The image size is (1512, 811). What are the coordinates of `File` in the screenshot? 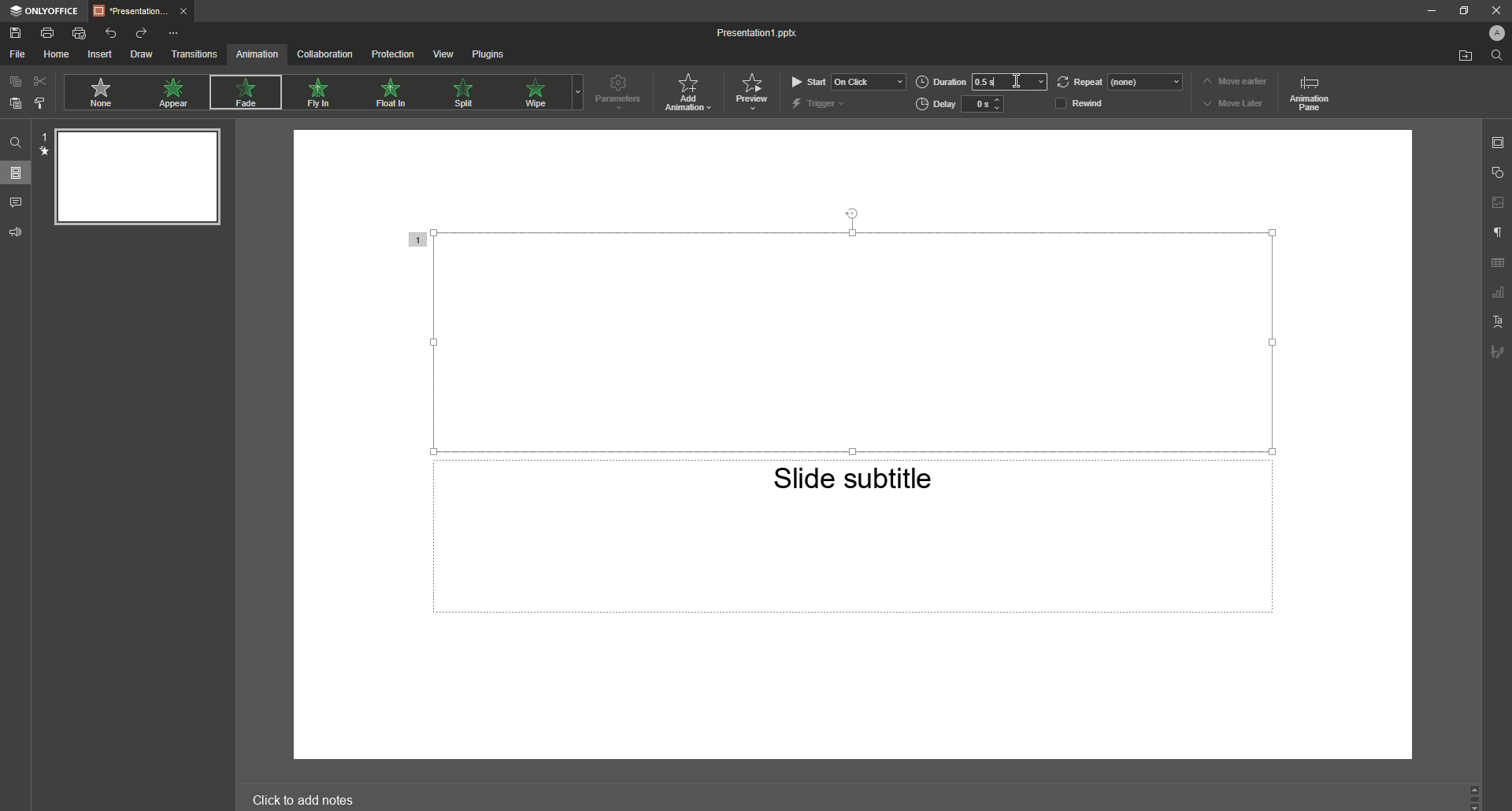 It's located at (19, 55).